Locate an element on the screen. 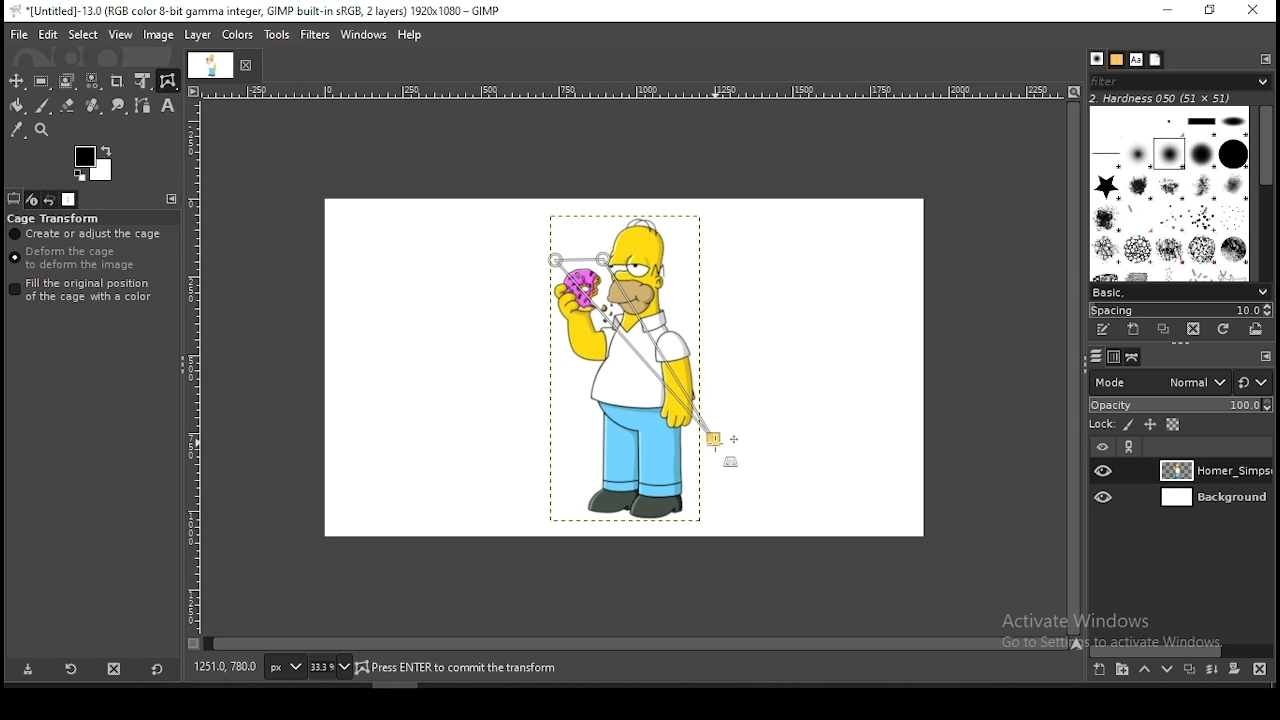 This screenshot has width=1280, height=720. link is located at coordinates (1131, 448).